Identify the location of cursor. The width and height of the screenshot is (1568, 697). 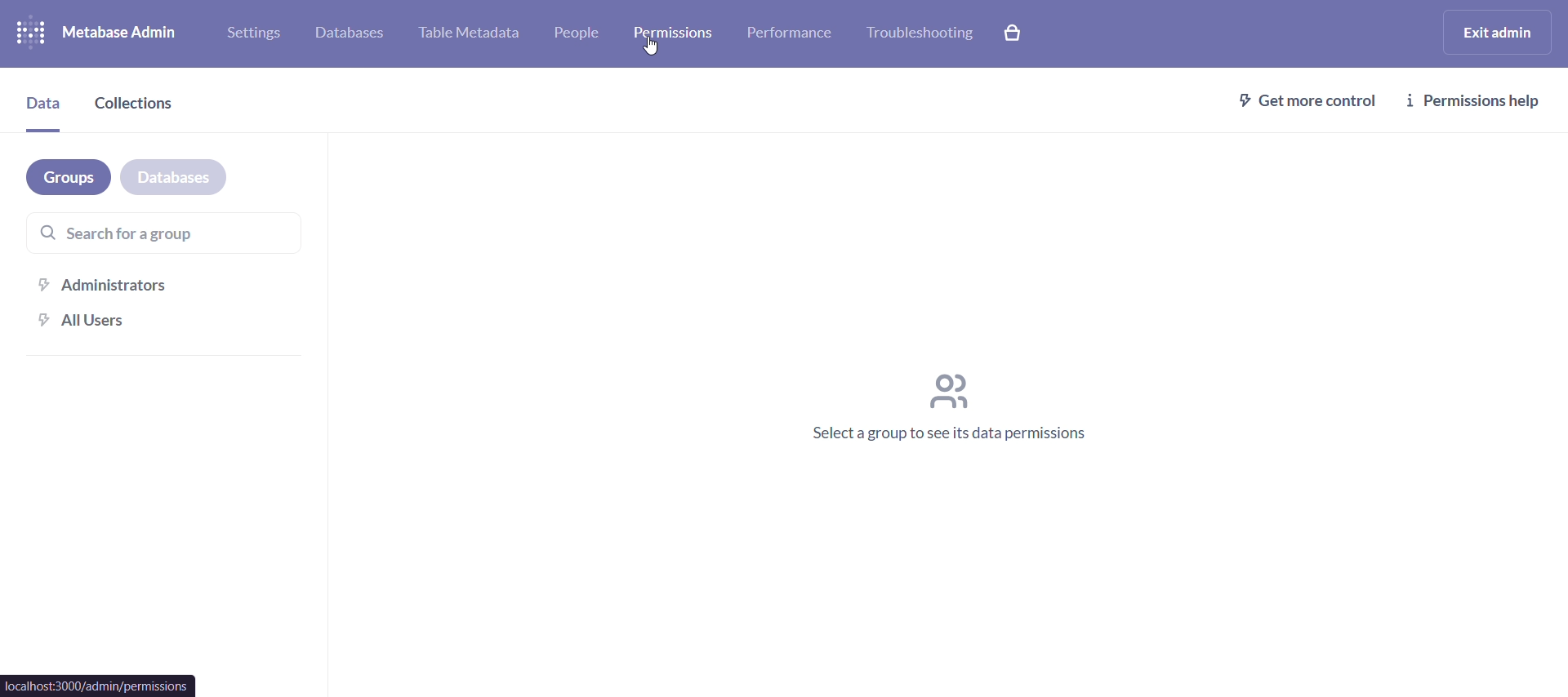
(648, 48).